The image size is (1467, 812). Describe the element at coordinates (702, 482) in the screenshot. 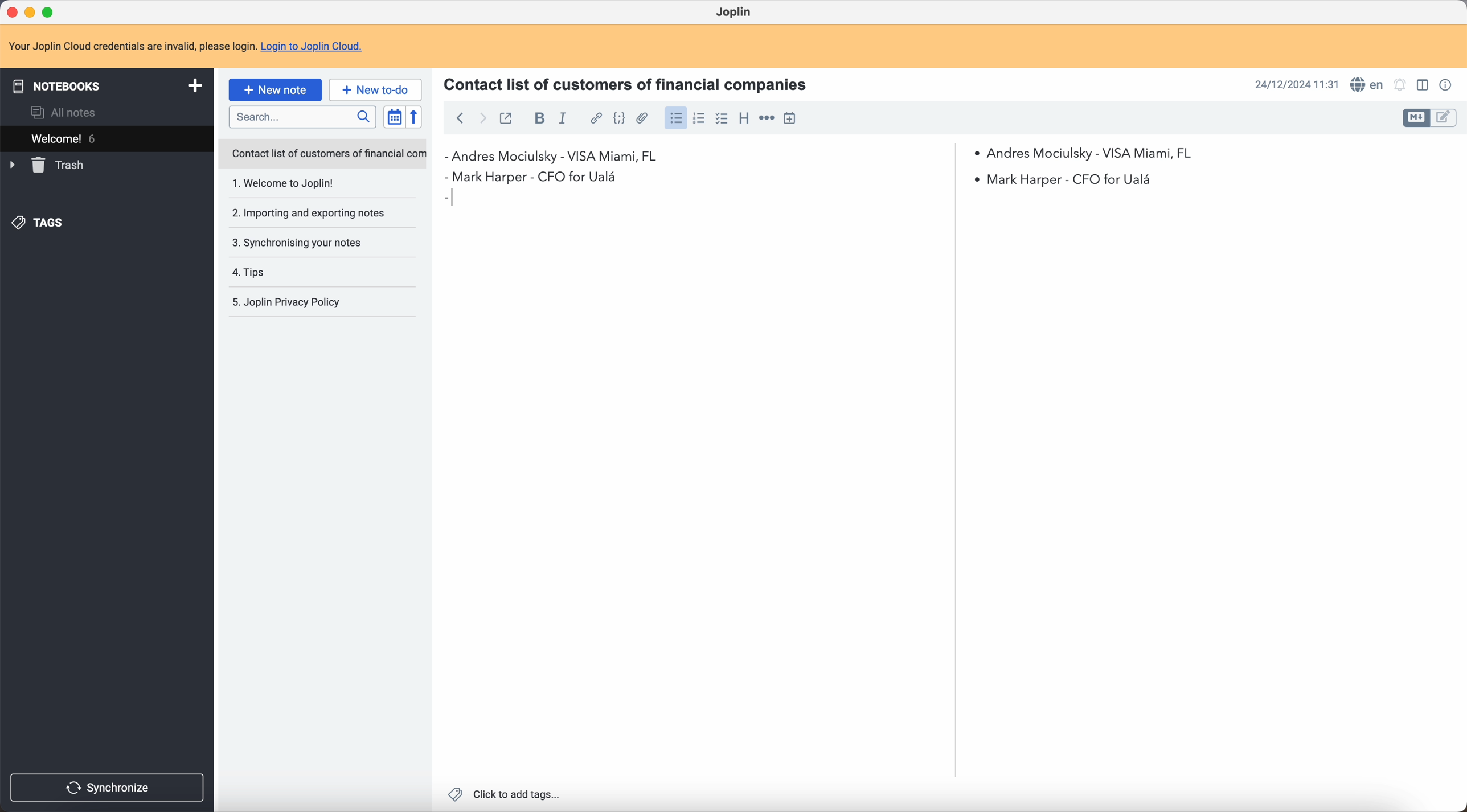

I see `body text` at that location.